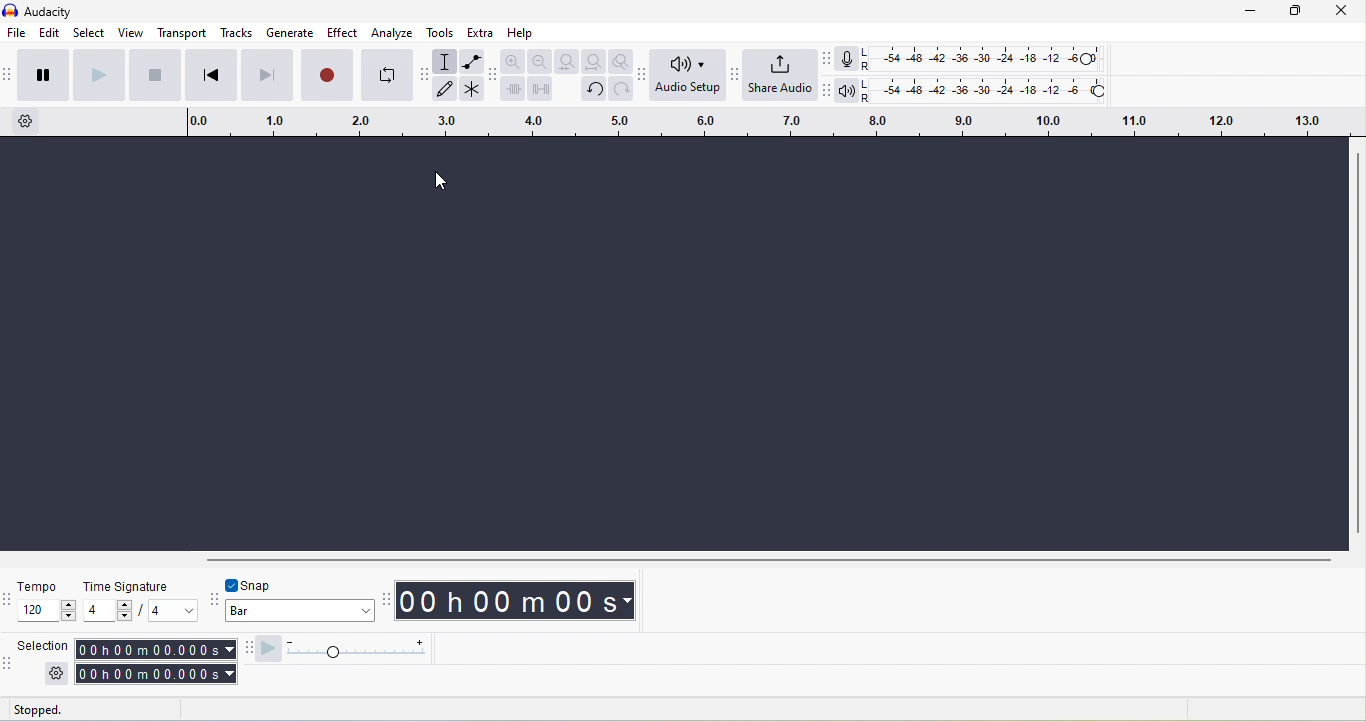 This screenshot has width=1366, height=722. What do you see at coordinates (595, 61) in the screenshot?
I see `fit project to width` at bounding box center [595, 61].